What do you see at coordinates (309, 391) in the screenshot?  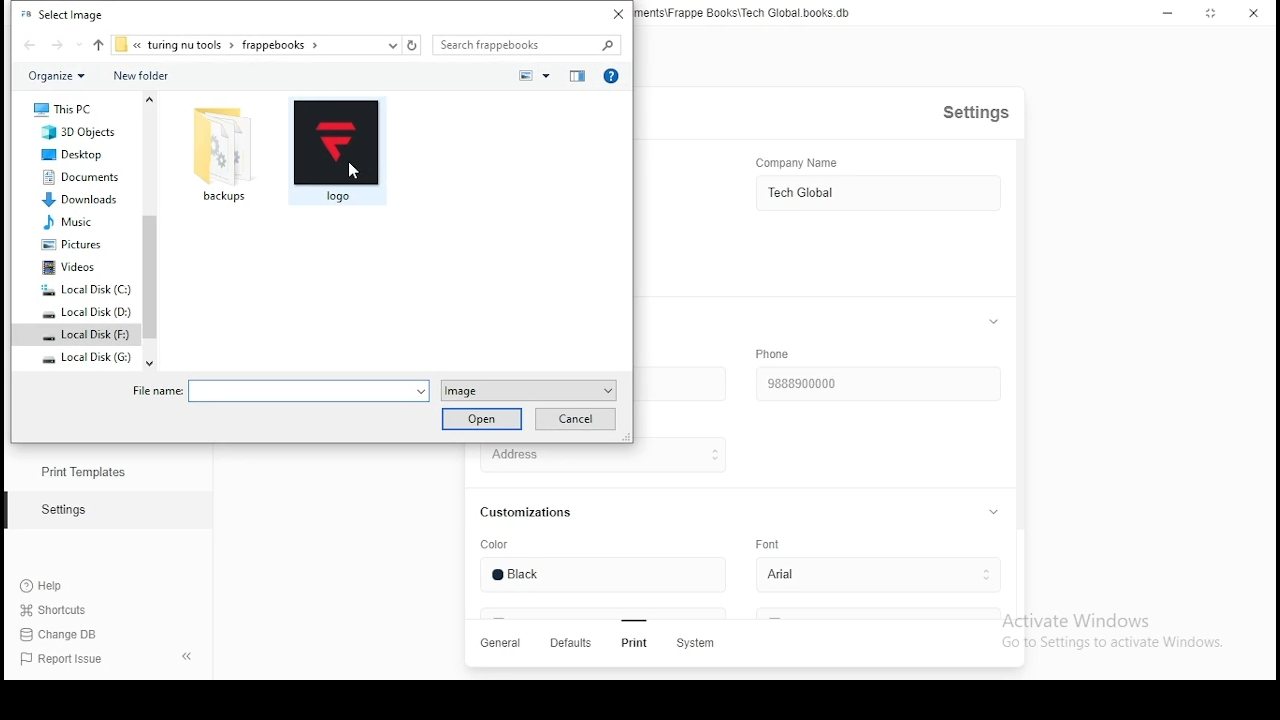 I see `select file name input box` at bounding box center [309, 391].